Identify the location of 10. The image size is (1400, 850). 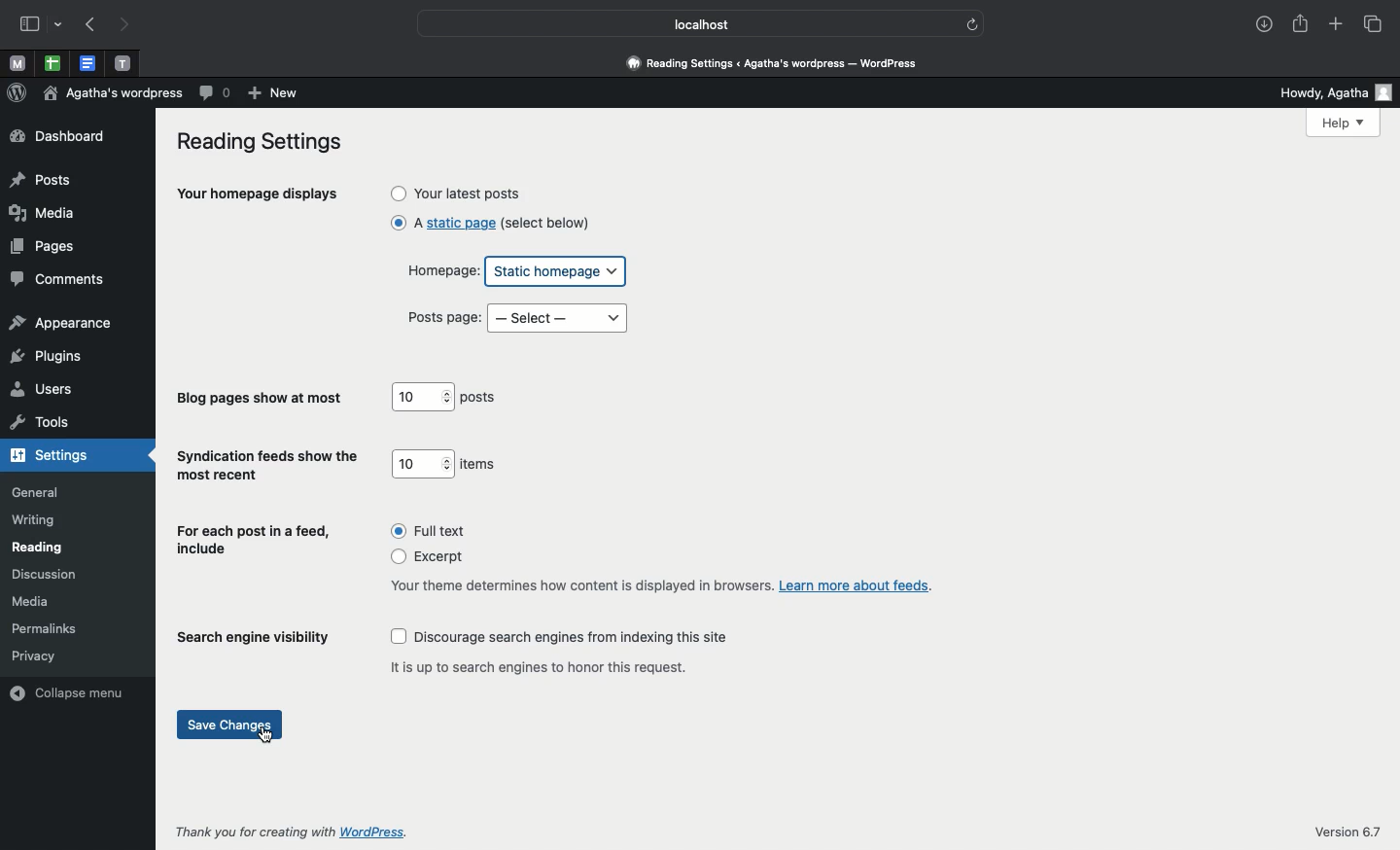
(423, 463).